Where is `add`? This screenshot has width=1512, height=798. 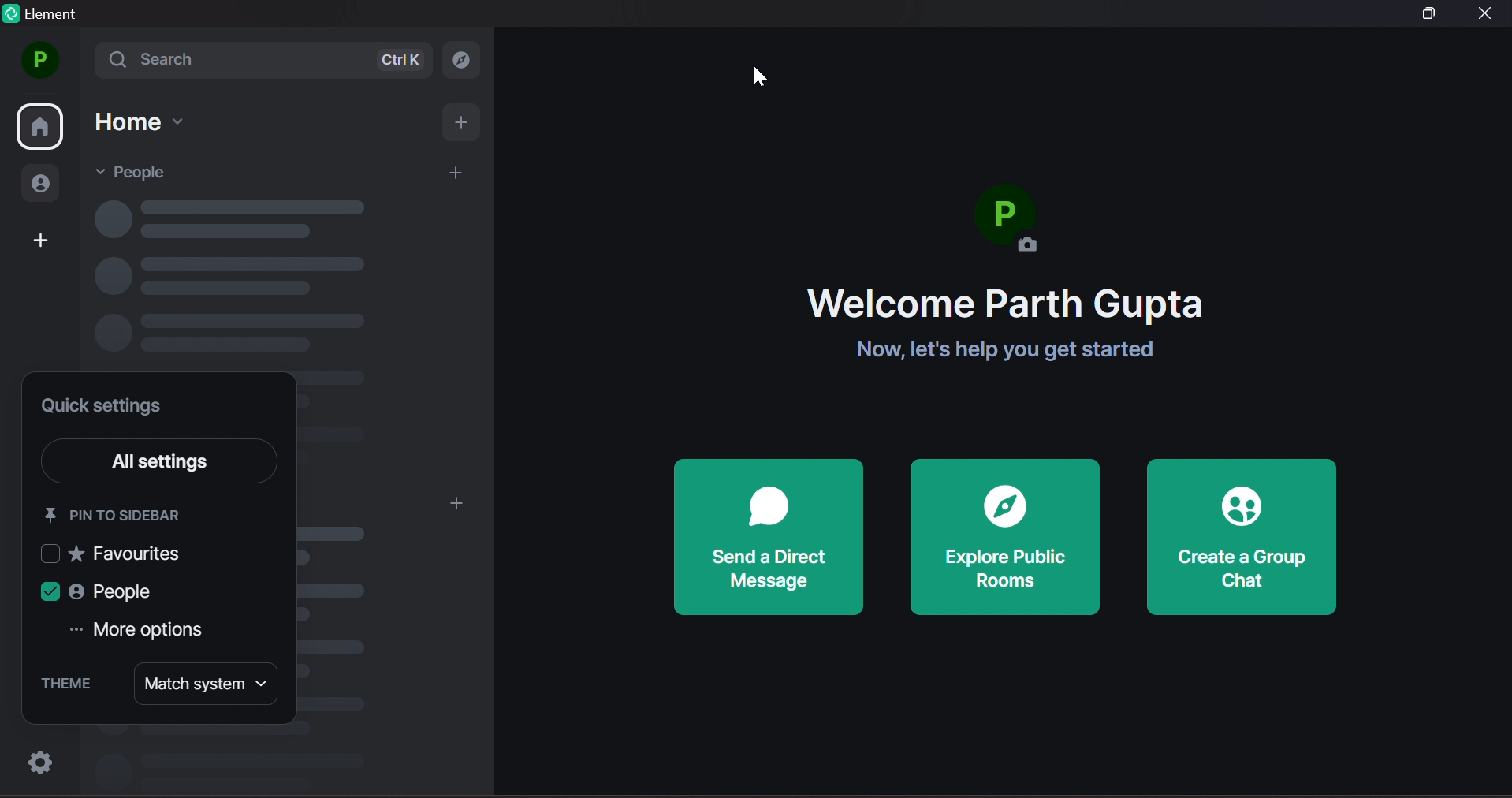 add is located at coordinates (40, 241).